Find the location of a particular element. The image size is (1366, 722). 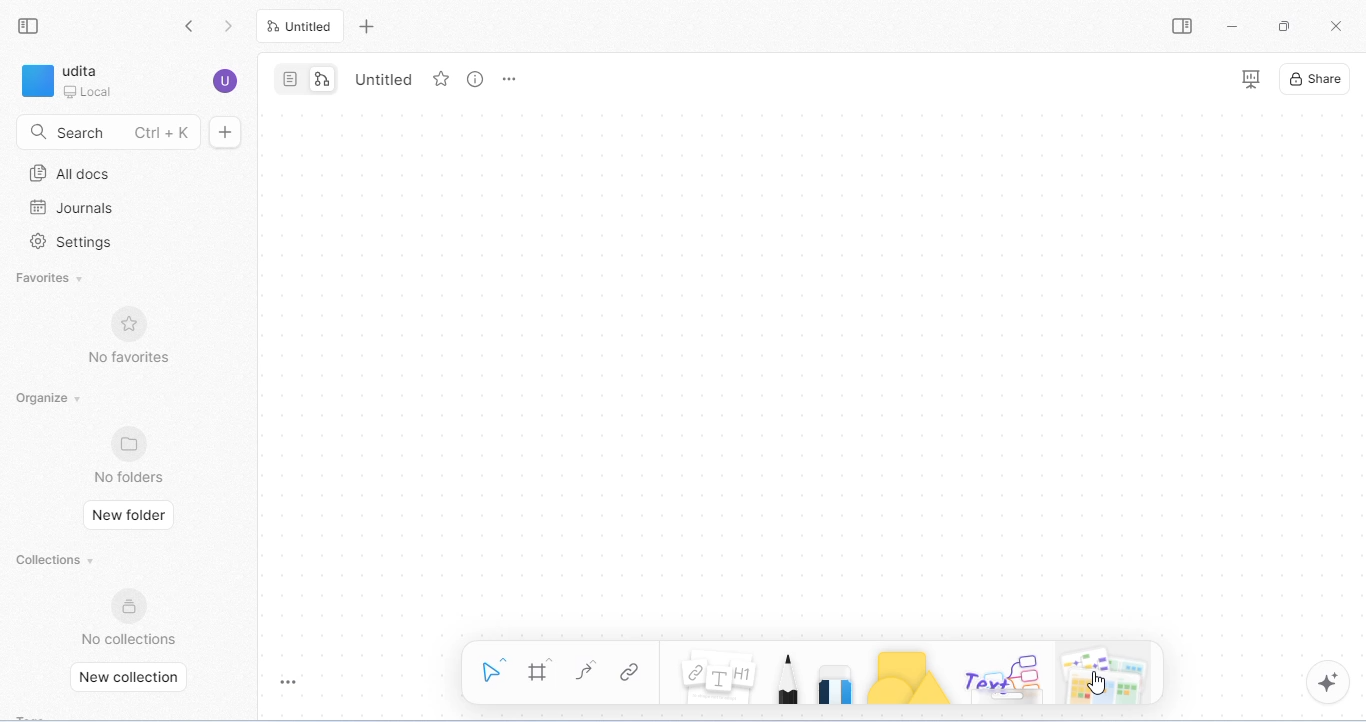

collapse side bar is located at coordinates (30, 25).